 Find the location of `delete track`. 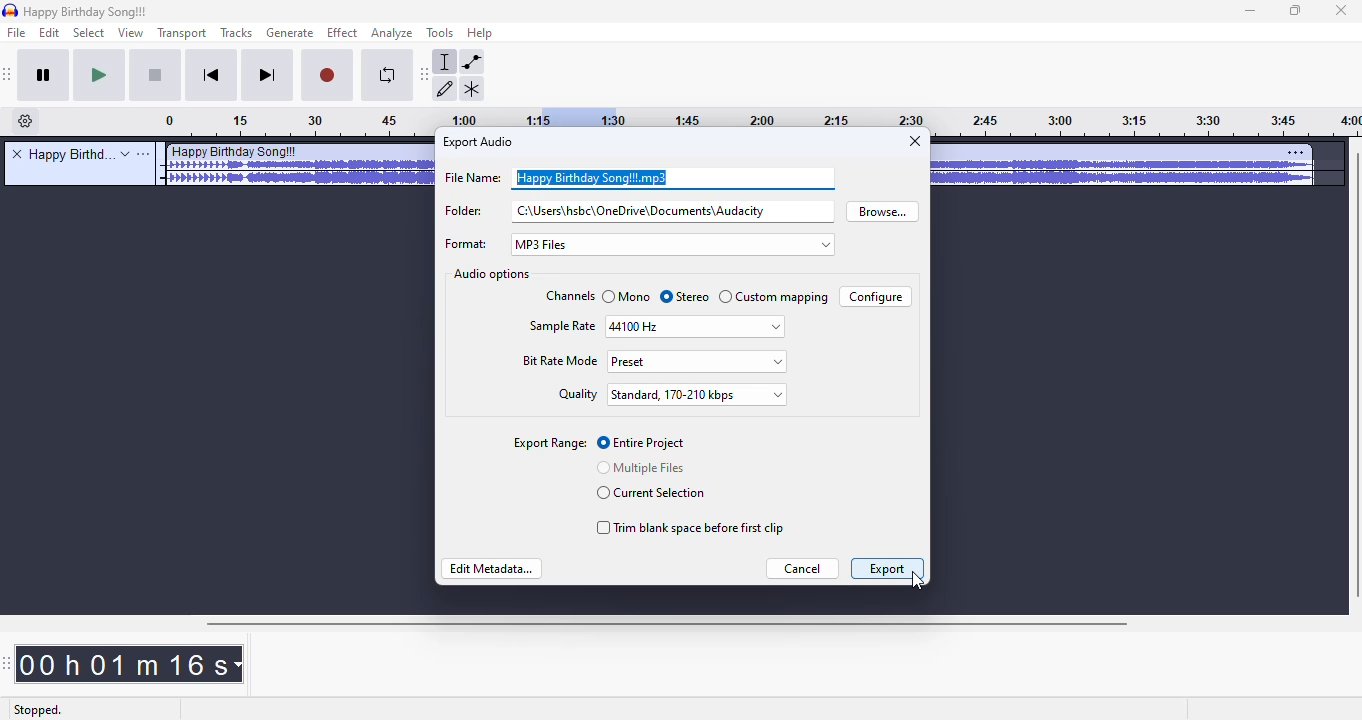

delete track is located at coordinates (17, 153).